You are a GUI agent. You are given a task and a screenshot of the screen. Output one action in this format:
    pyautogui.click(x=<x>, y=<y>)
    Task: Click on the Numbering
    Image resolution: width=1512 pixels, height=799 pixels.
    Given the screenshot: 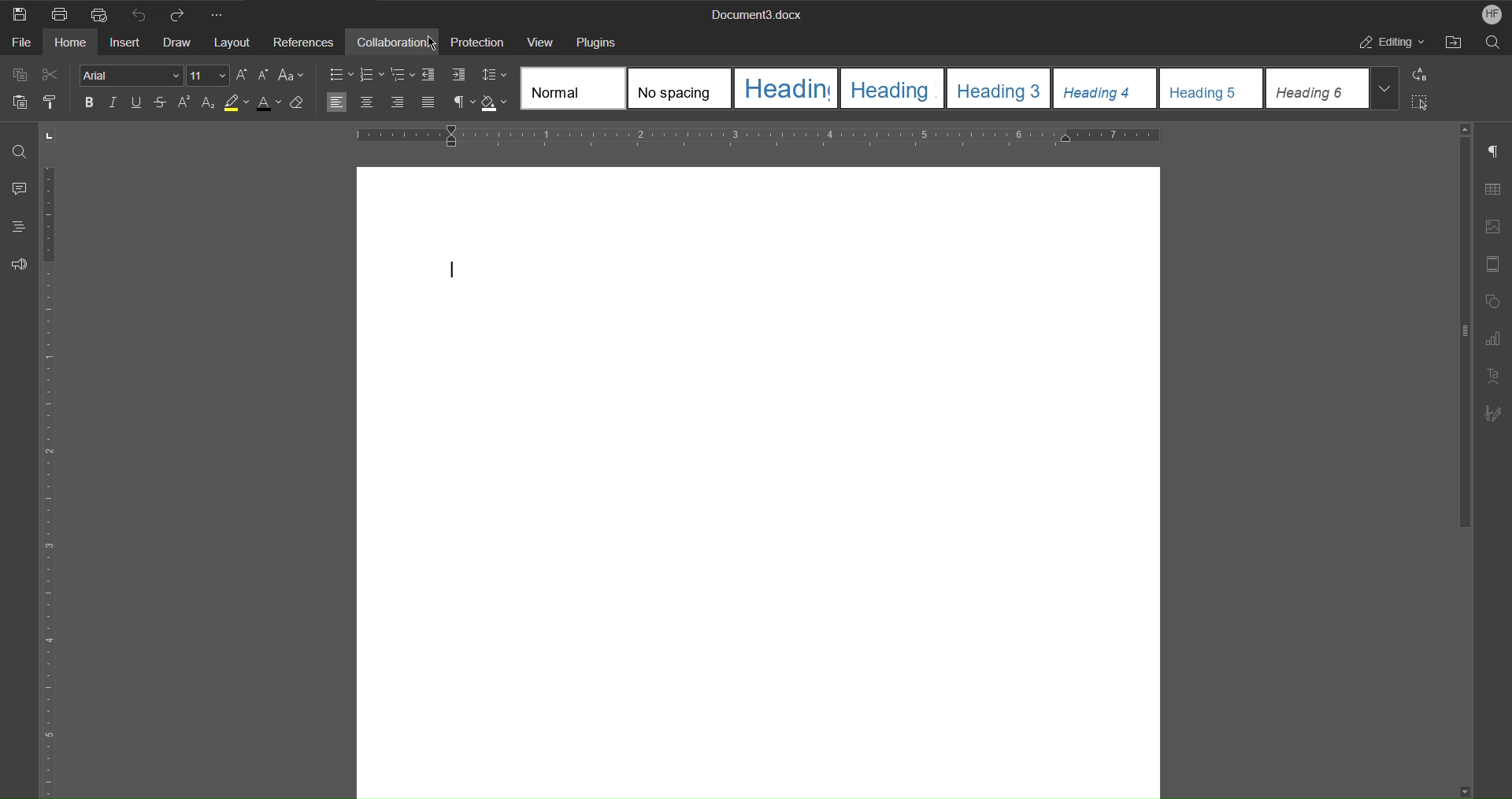 What is the action you would take?
    pyautogui.click(x=372, y=72)
    